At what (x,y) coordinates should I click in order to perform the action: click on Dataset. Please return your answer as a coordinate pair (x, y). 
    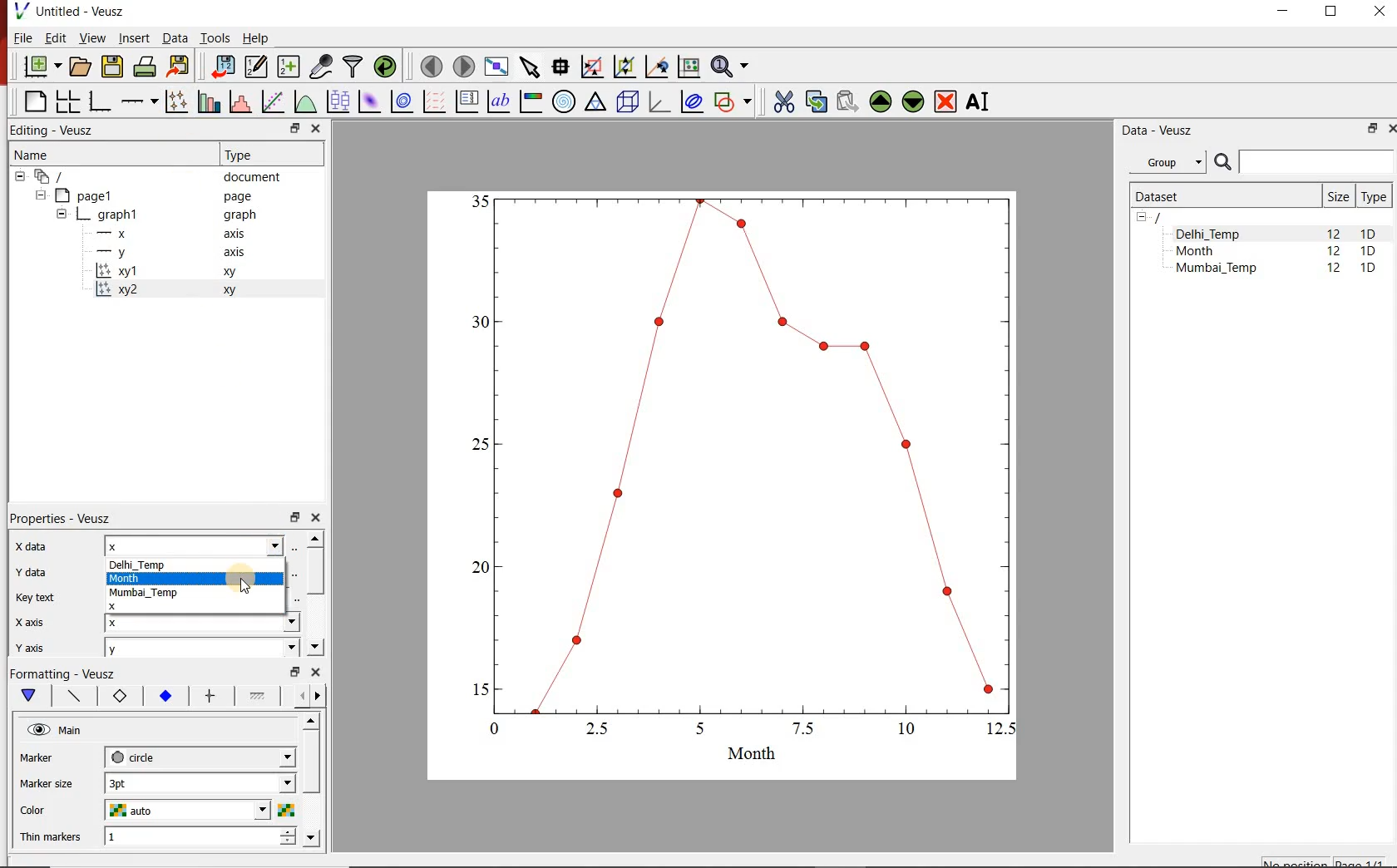
    Looking at the image, I should click on (1221, 196).